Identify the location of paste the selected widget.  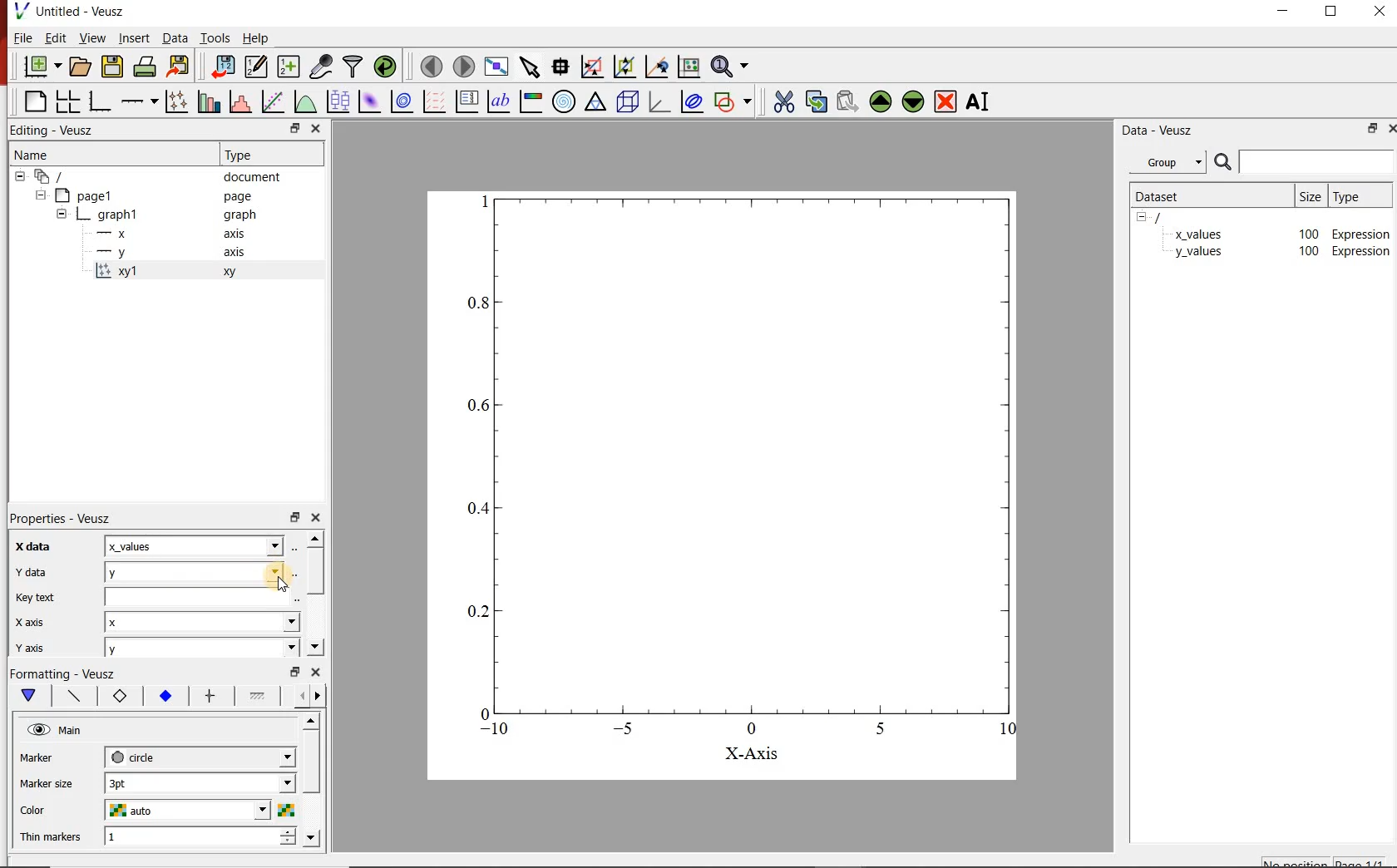
(845, 104).